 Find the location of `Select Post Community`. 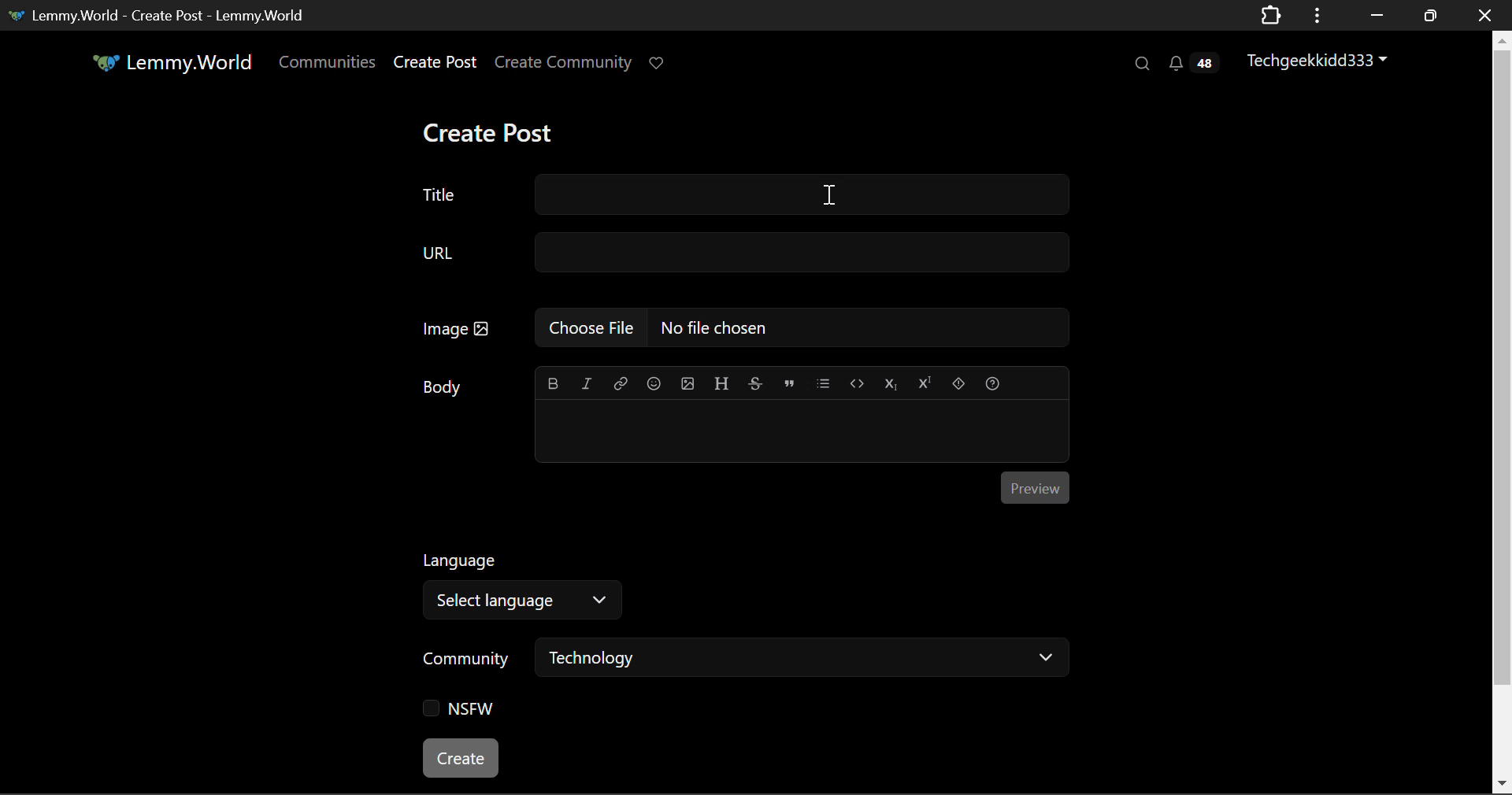

Select Post Community is located at coordinates (746, 660).